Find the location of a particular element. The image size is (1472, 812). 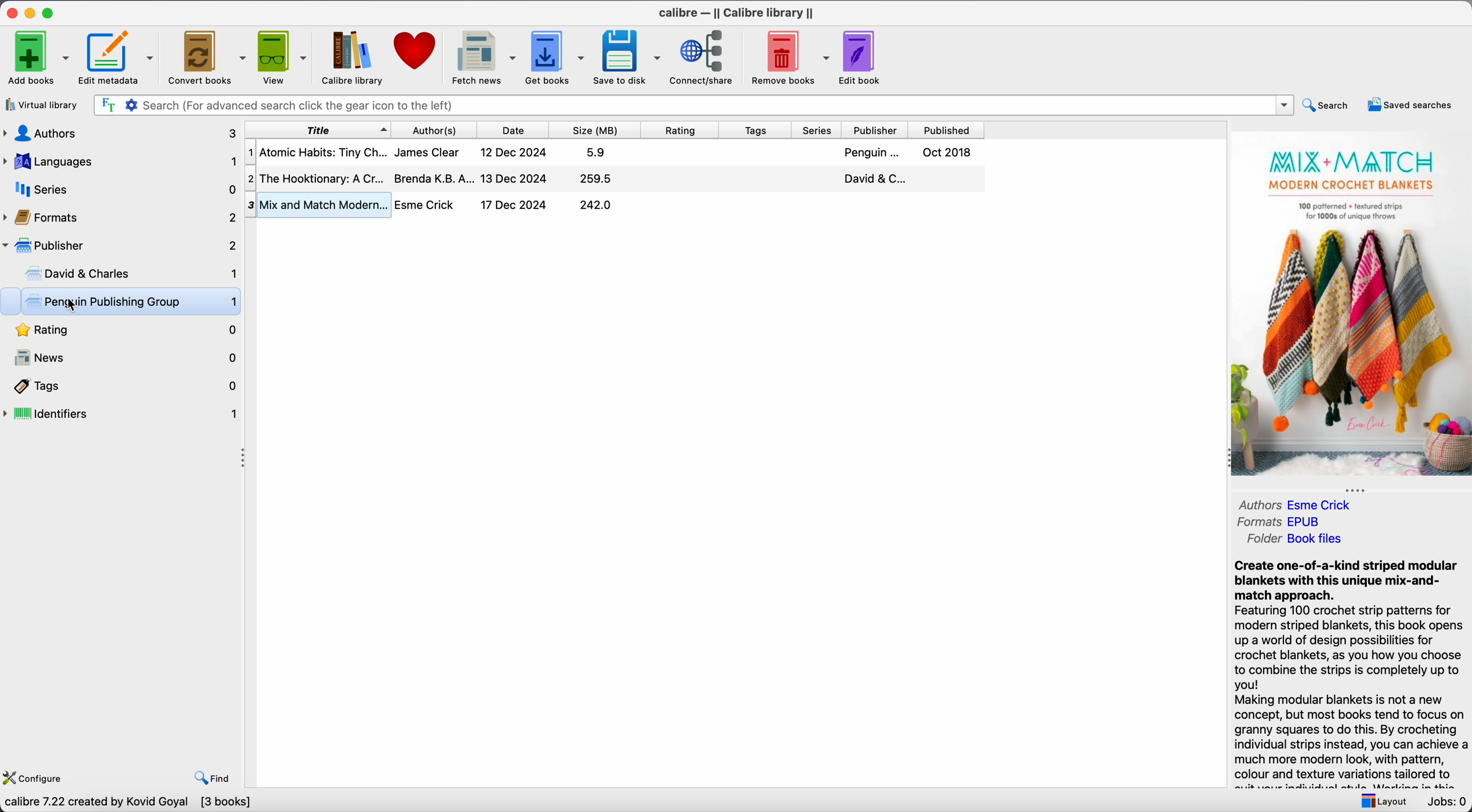

click on publicher options is located at coordinates (121, 245).